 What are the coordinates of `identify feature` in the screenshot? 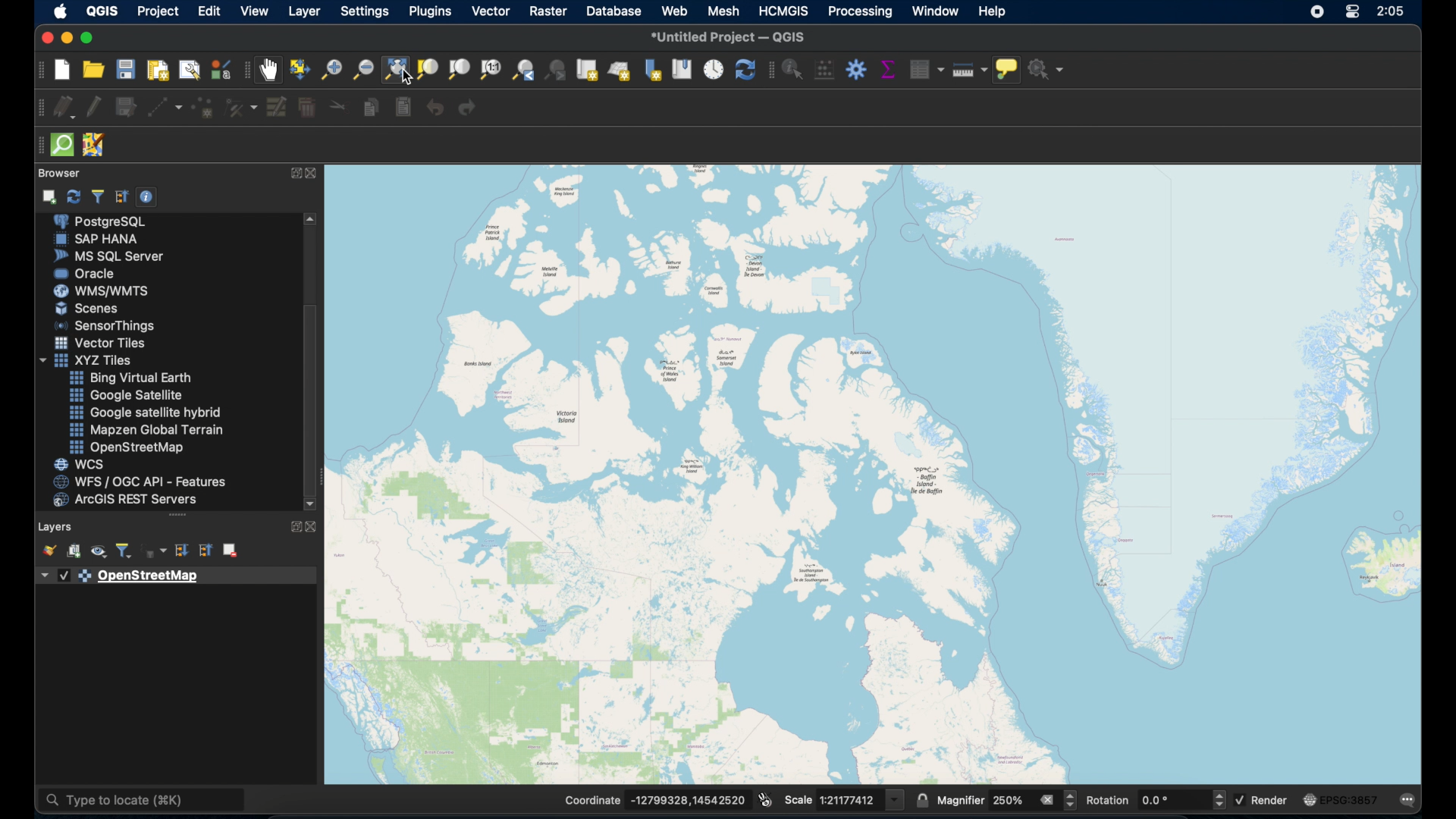 It's located at (794, 69).